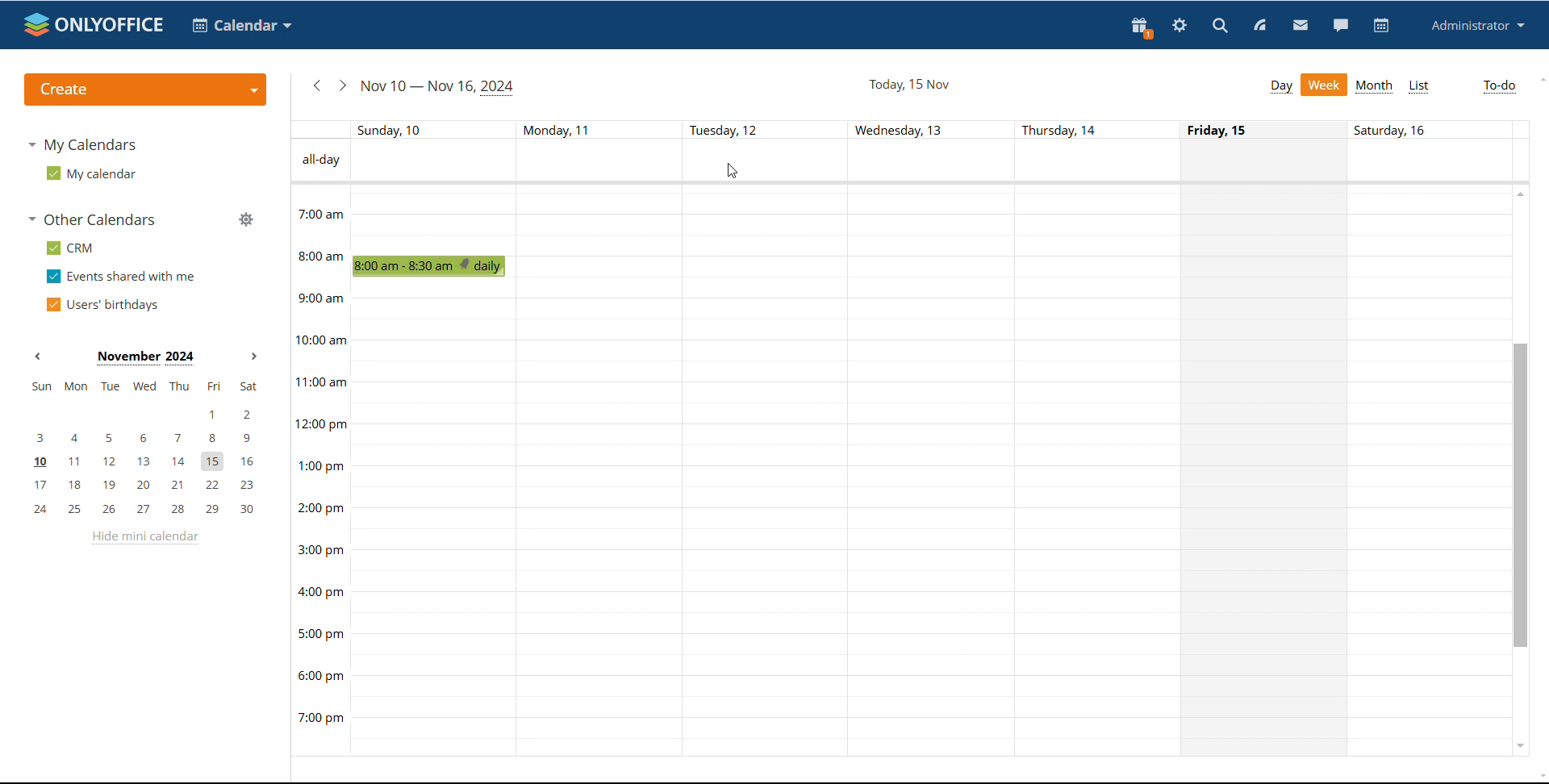  Describe the element at coordinates (1380, 26) in the screenshot. I see `calendar` at that location.